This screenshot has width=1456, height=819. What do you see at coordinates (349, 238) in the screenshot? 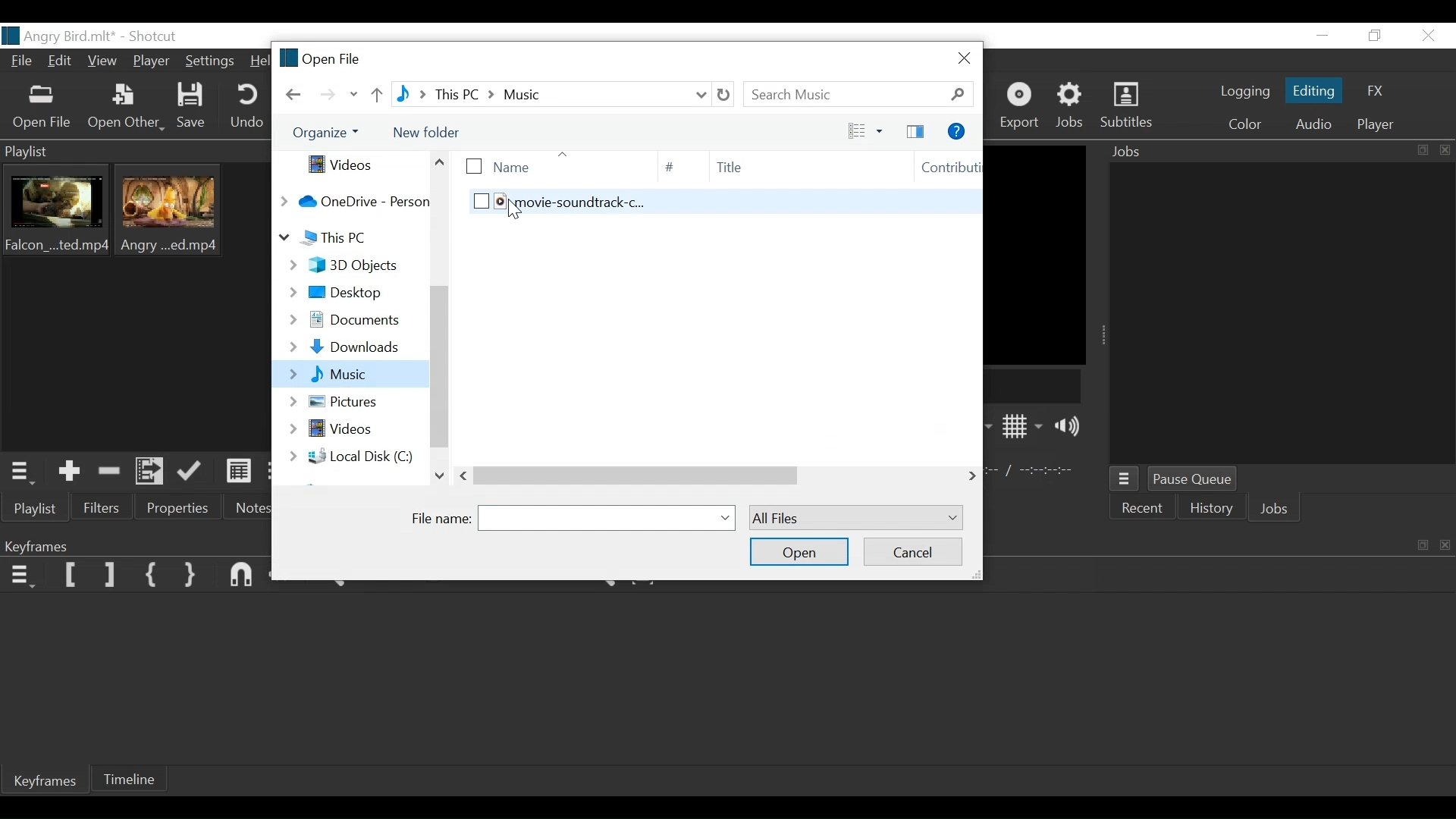
I see `This PC` at bounding box center [349, 238].